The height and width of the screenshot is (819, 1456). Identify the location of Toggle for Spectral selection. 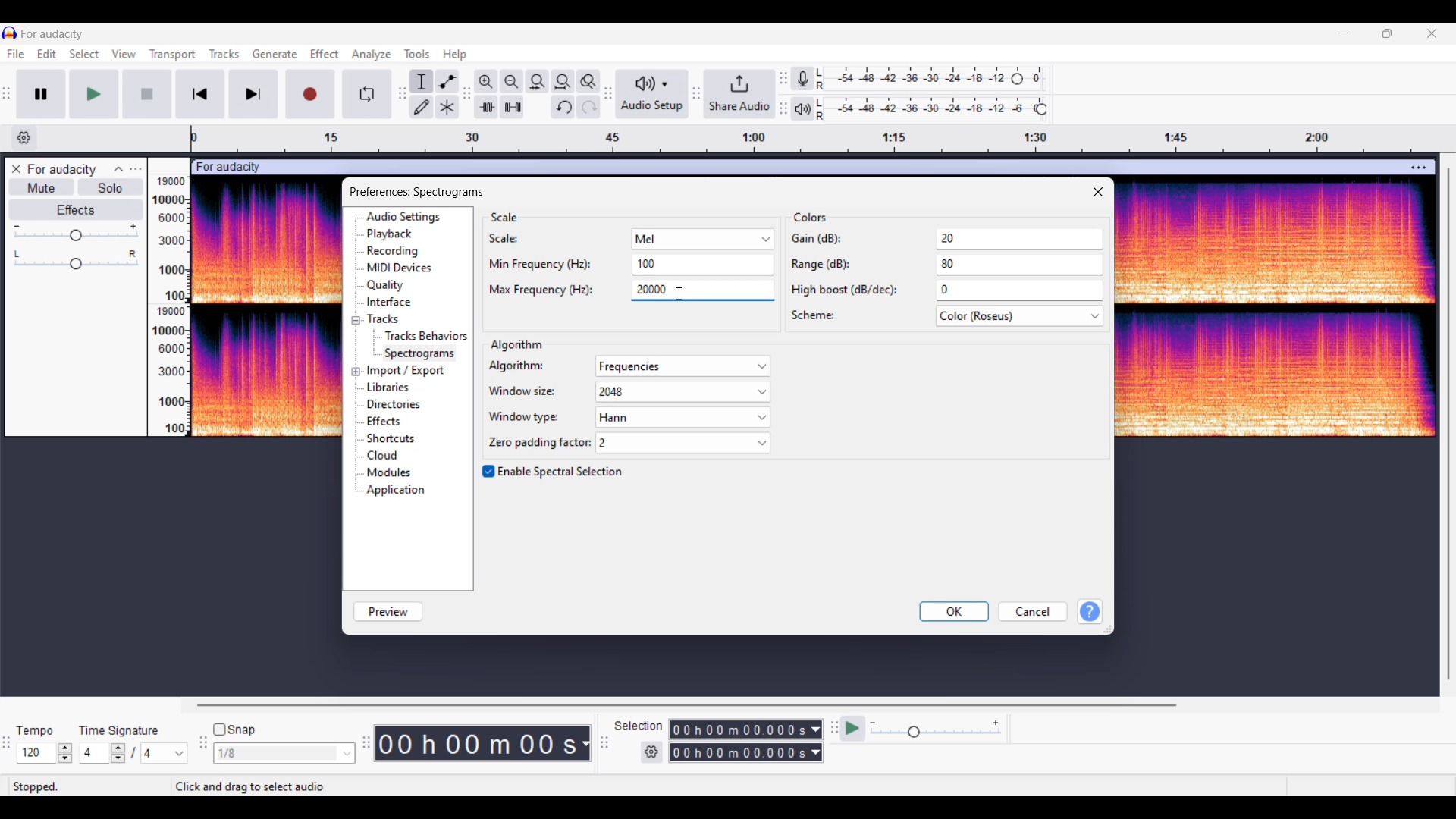
(554, 472).